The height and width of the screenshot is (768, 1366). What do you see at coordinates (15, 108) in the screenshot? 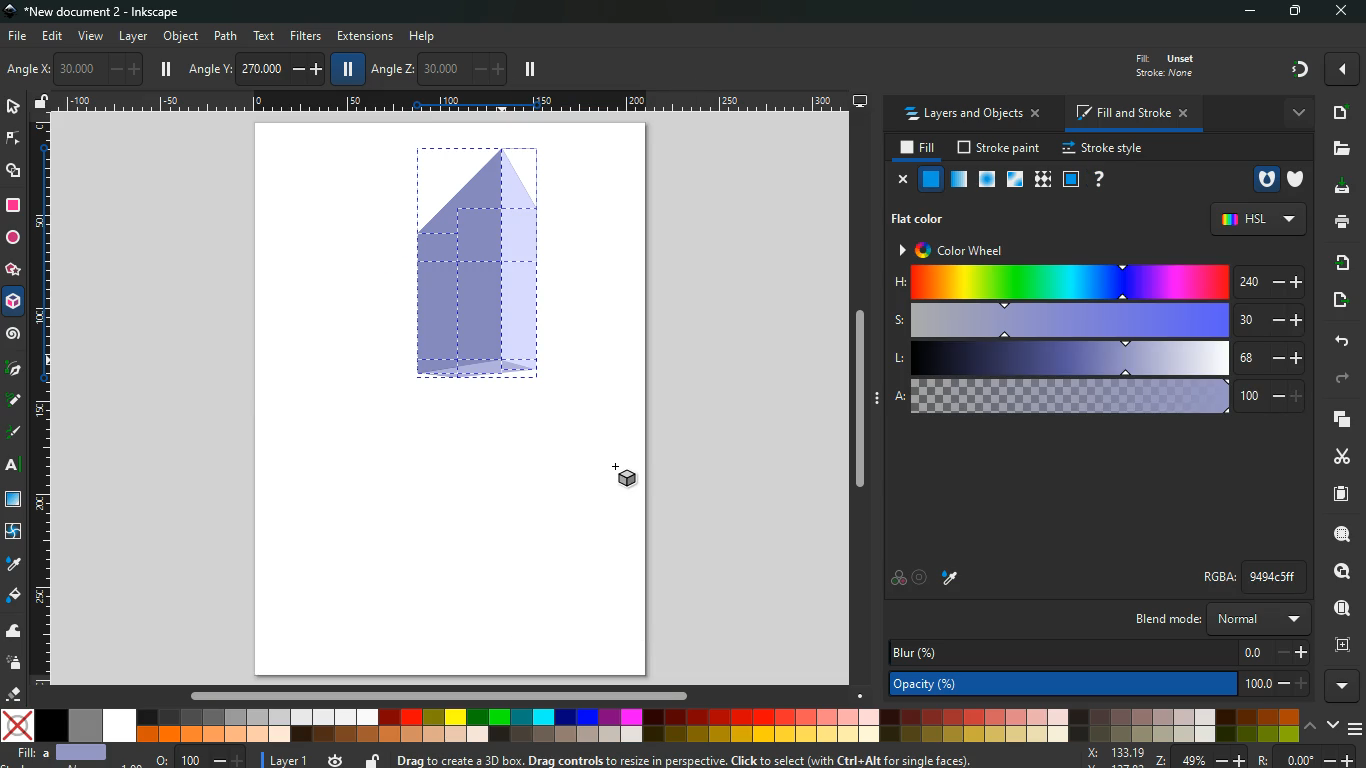
I see `select` at bounding box center [15, 108].